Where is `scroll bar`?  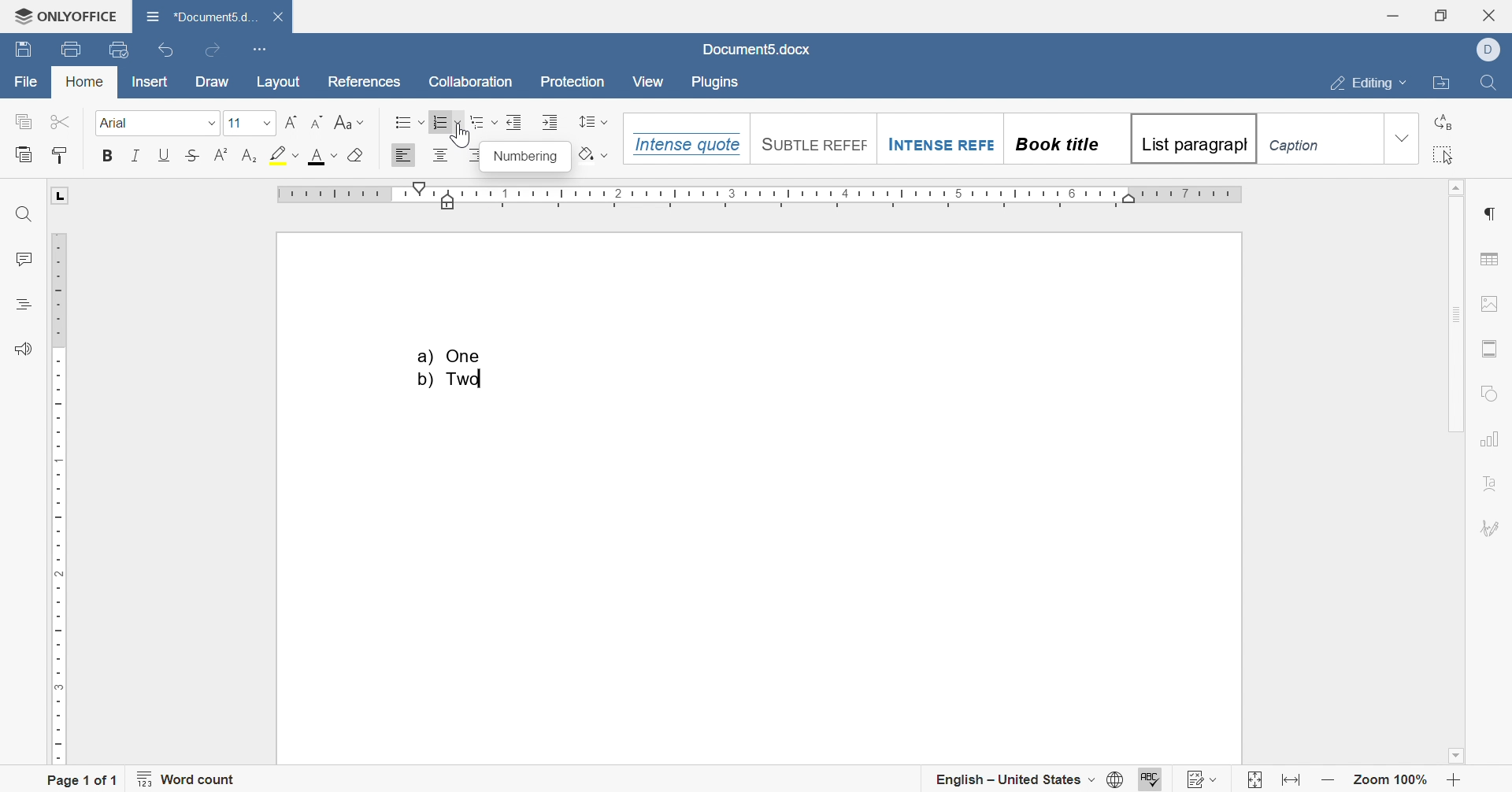
scroll bar is located at coordinates (1453, 305).